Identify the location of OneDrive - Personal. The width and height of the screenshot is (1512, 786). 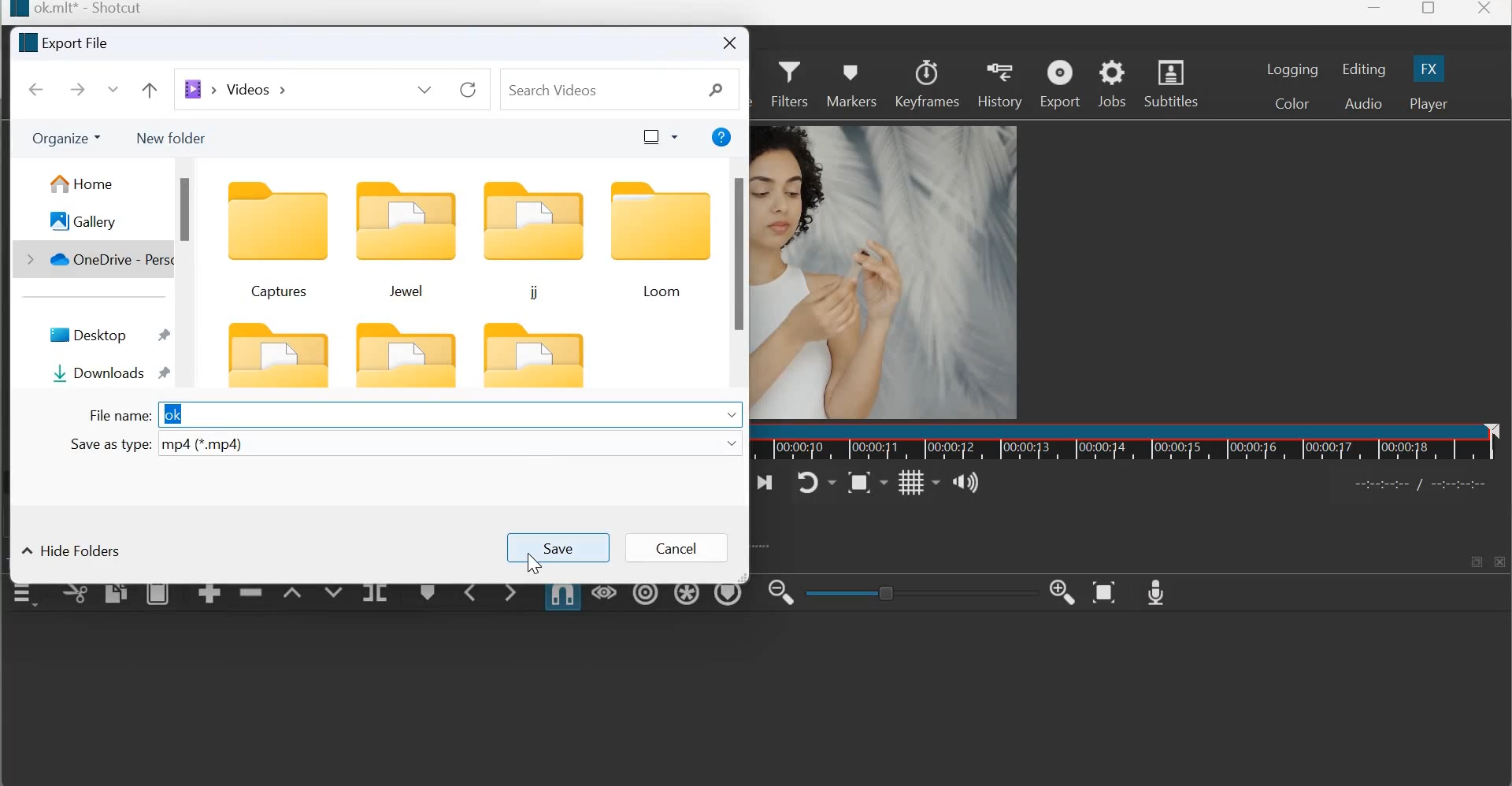
(107, 261).